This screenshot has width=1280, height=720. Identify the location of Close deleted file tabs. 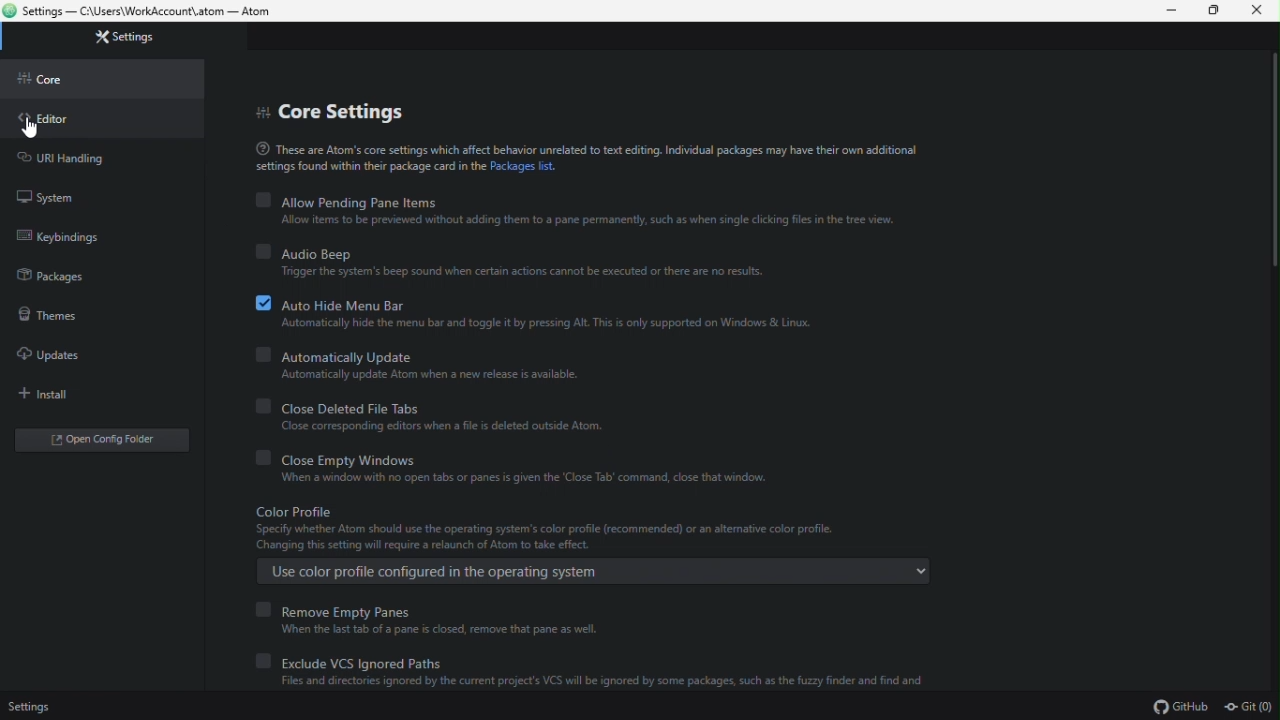
(442, 407).